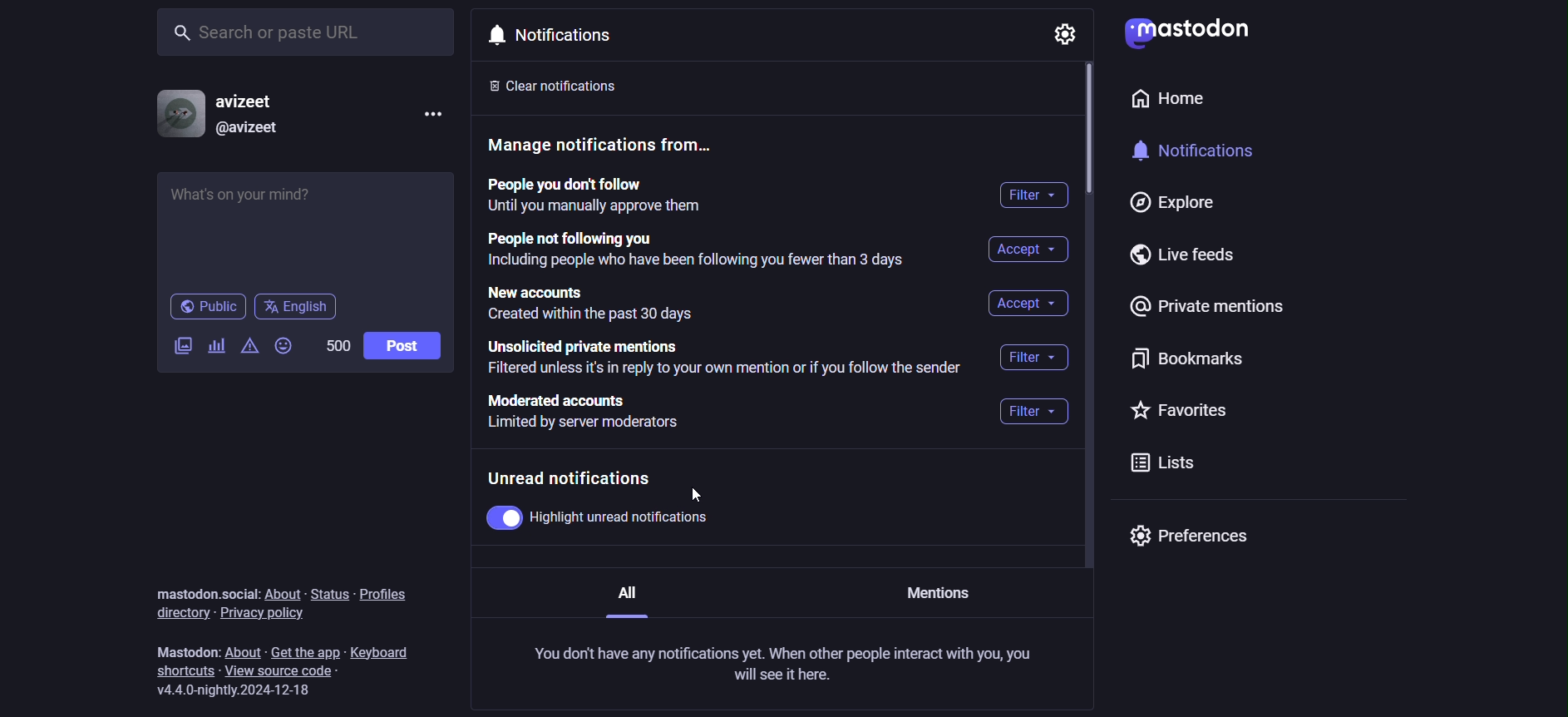 The image size is (1568, 717). Describe the element at coordinates (699, 250) in the screenshot. I see `people not following you including people who have been following you fewer than 3 days` at that location.